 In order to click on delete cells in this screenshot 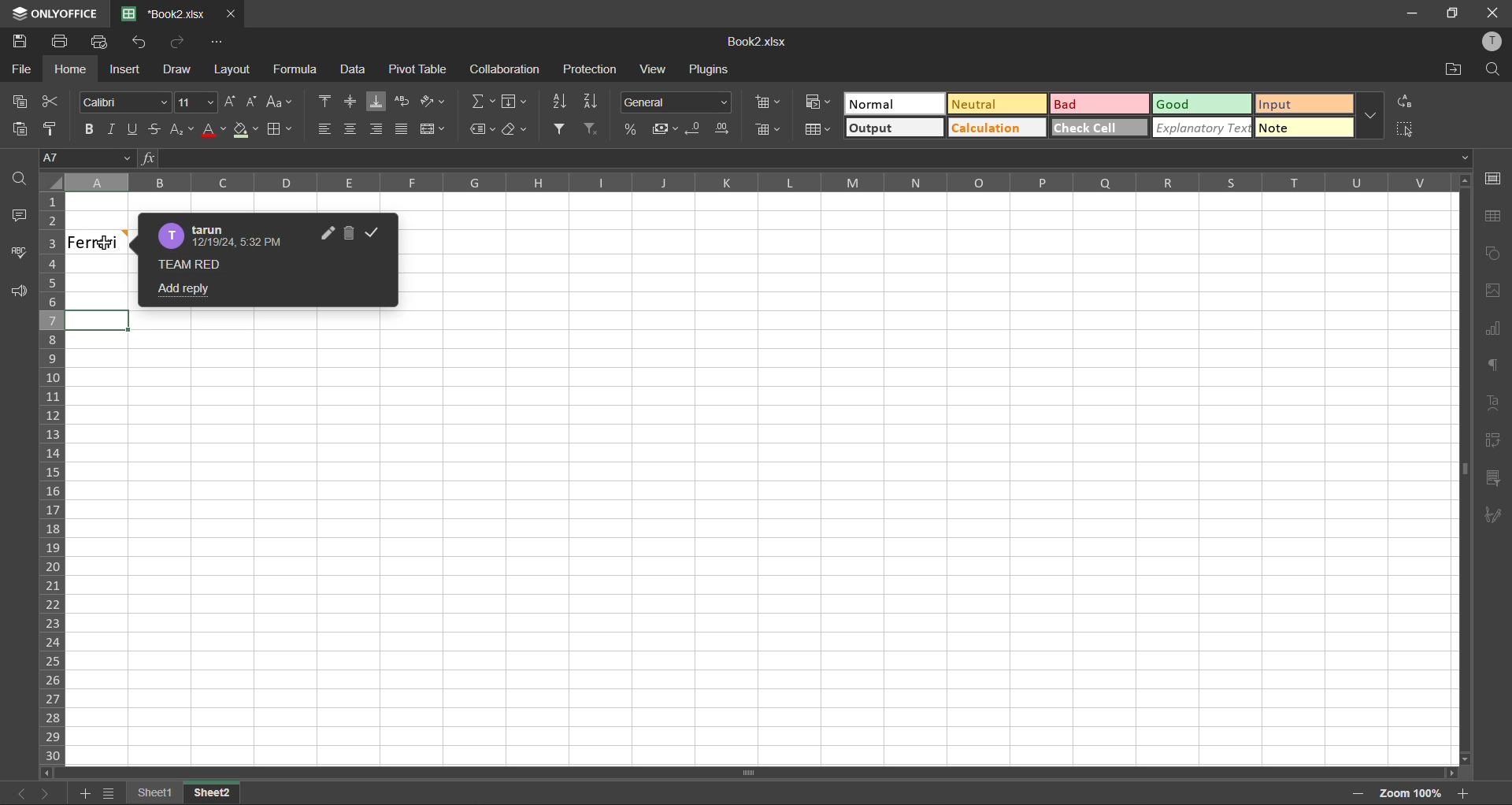, I will do `click(766, 132)`.